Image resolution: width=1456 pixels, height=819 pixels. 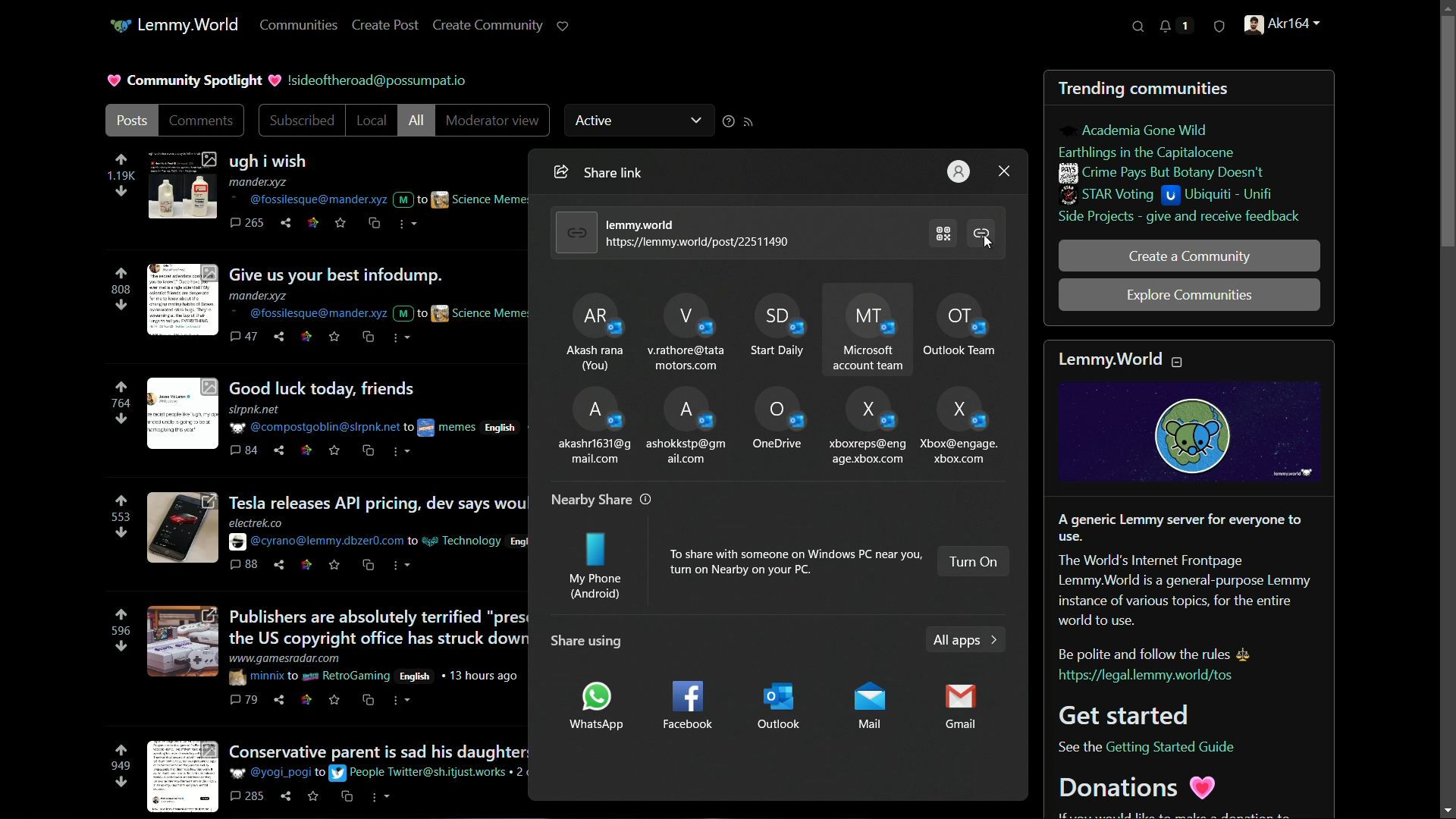 I want to click on downvote, so click(x=120, y=646).